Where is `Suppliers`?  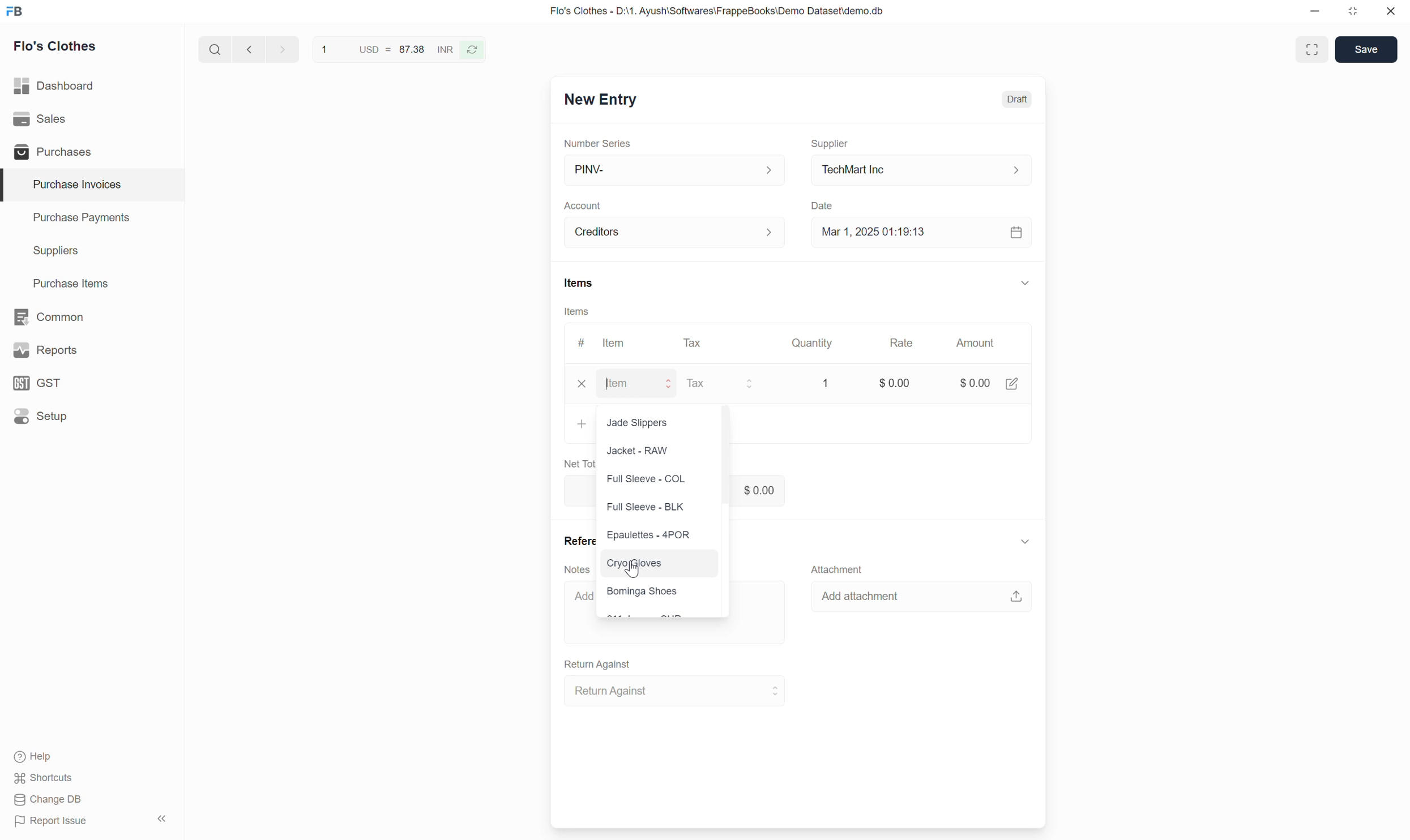
Suppliers is located at coordinates (48, 251).